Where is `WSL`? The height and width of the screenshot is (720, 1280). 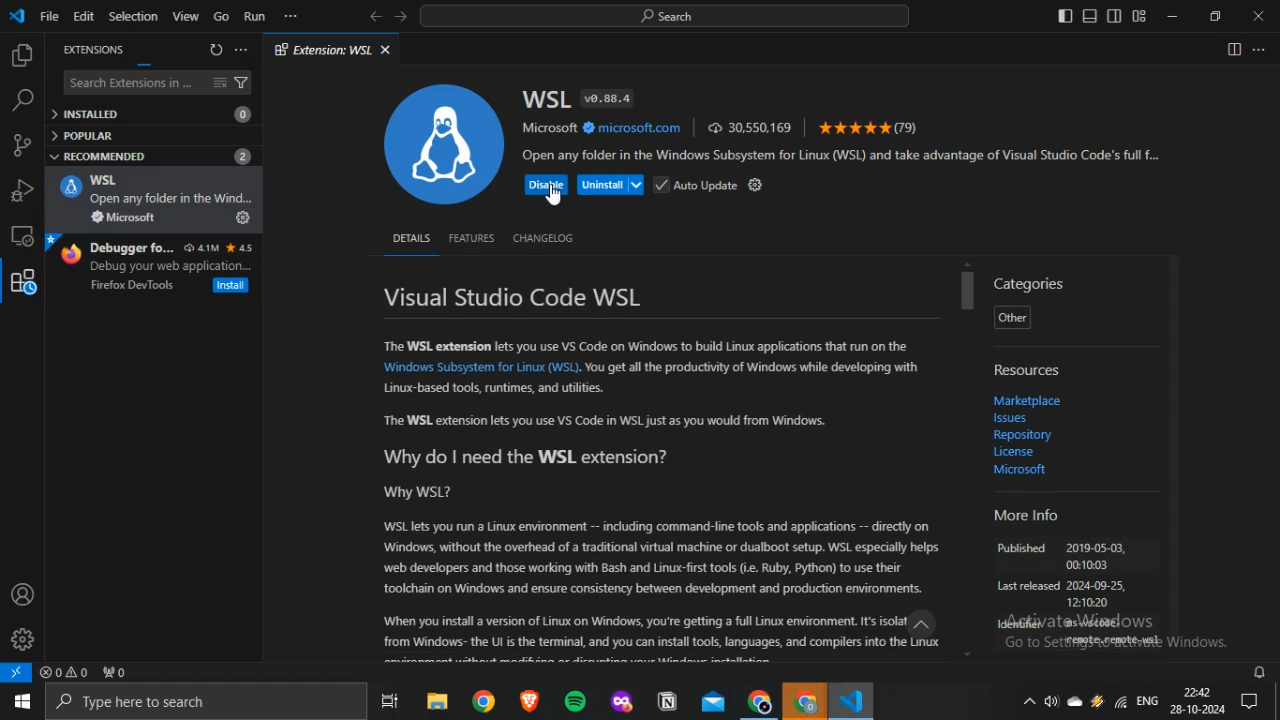
WSL is located at coordinates (70, 187).